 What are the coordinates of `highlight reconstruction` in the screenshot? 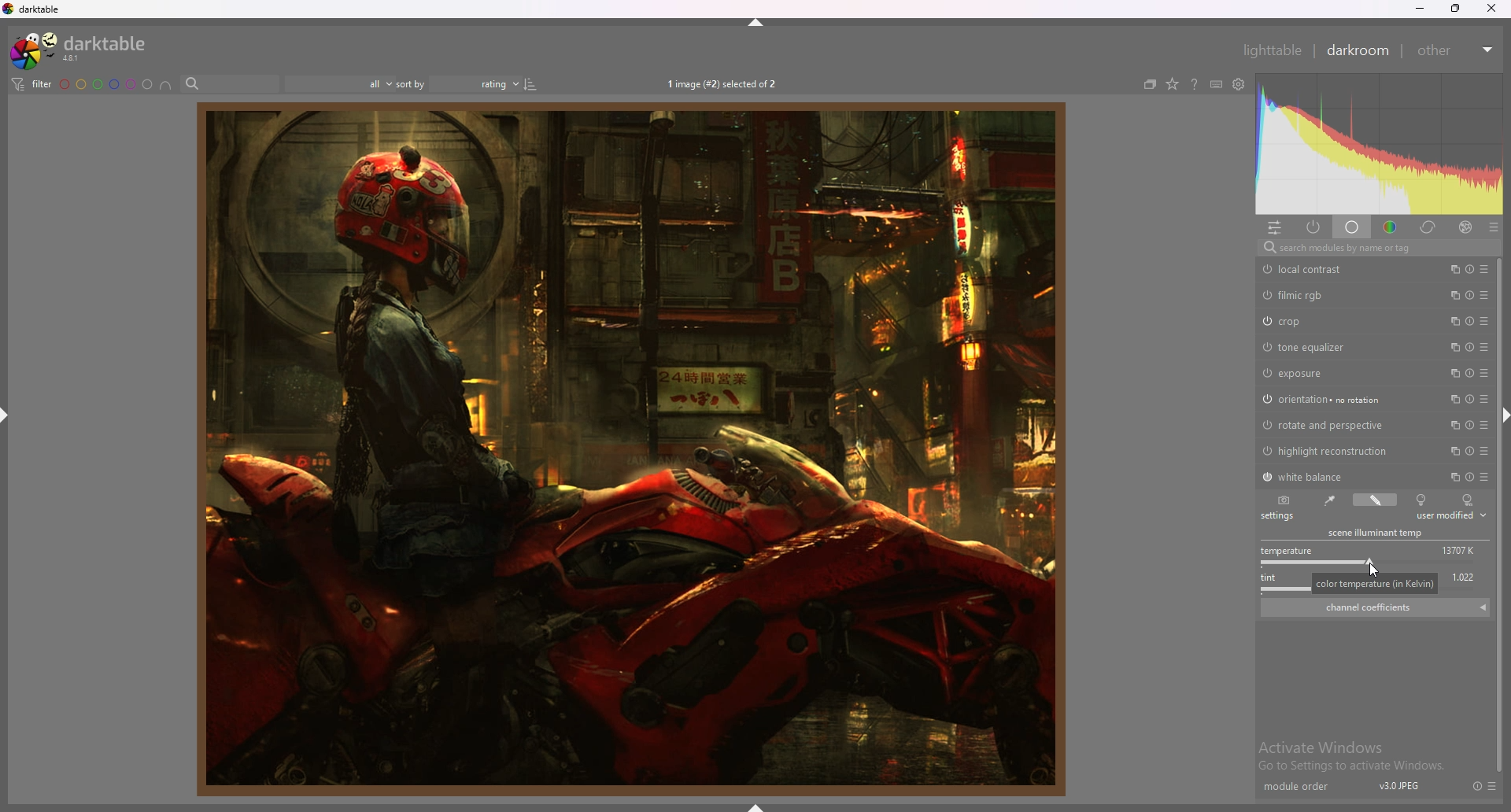 It's located at (1329, 451).